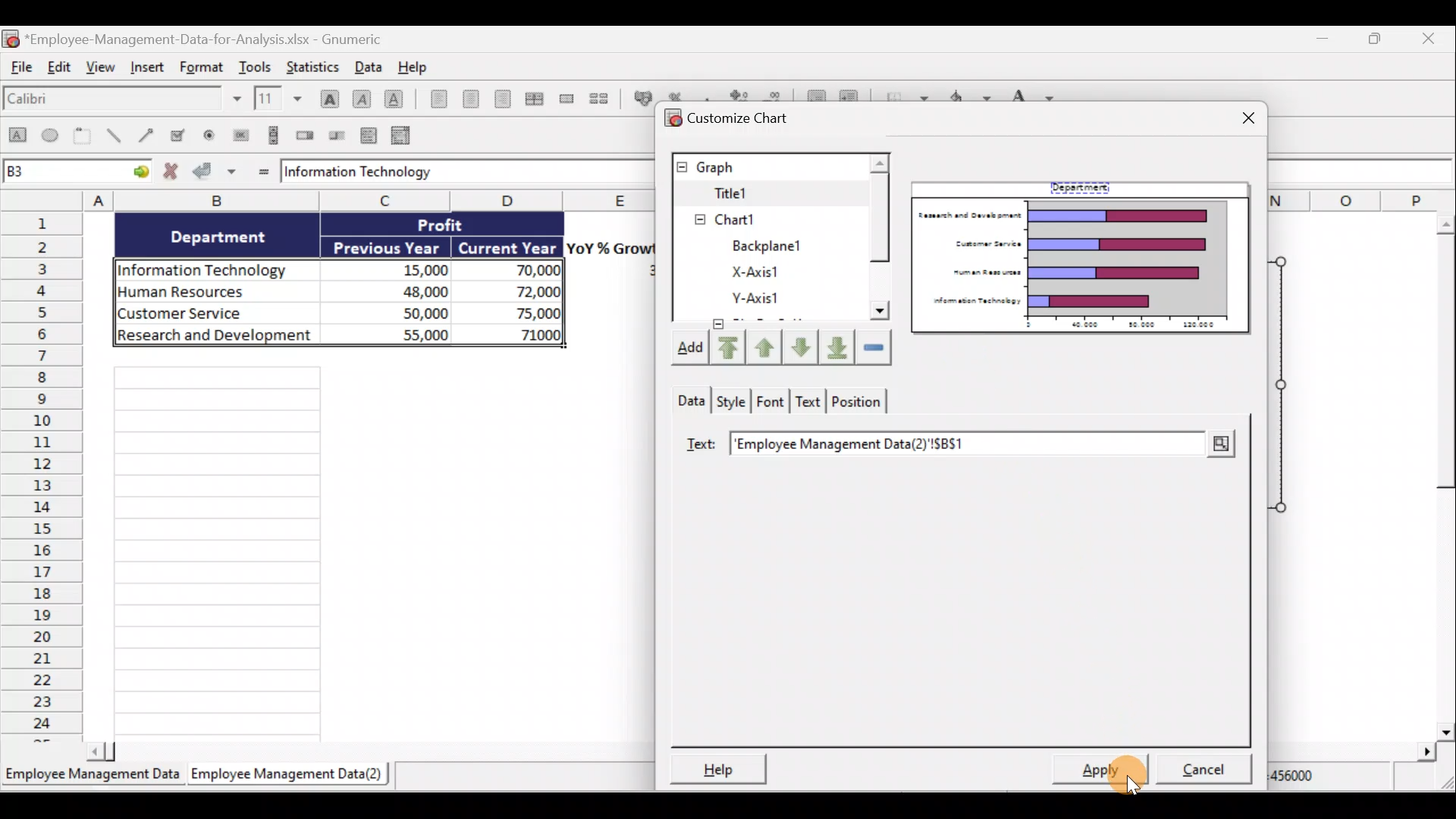  What do you see at coordinates (1379, 39) in the screenshot?
I see `Maximize` at bounding box center [1379, 39].